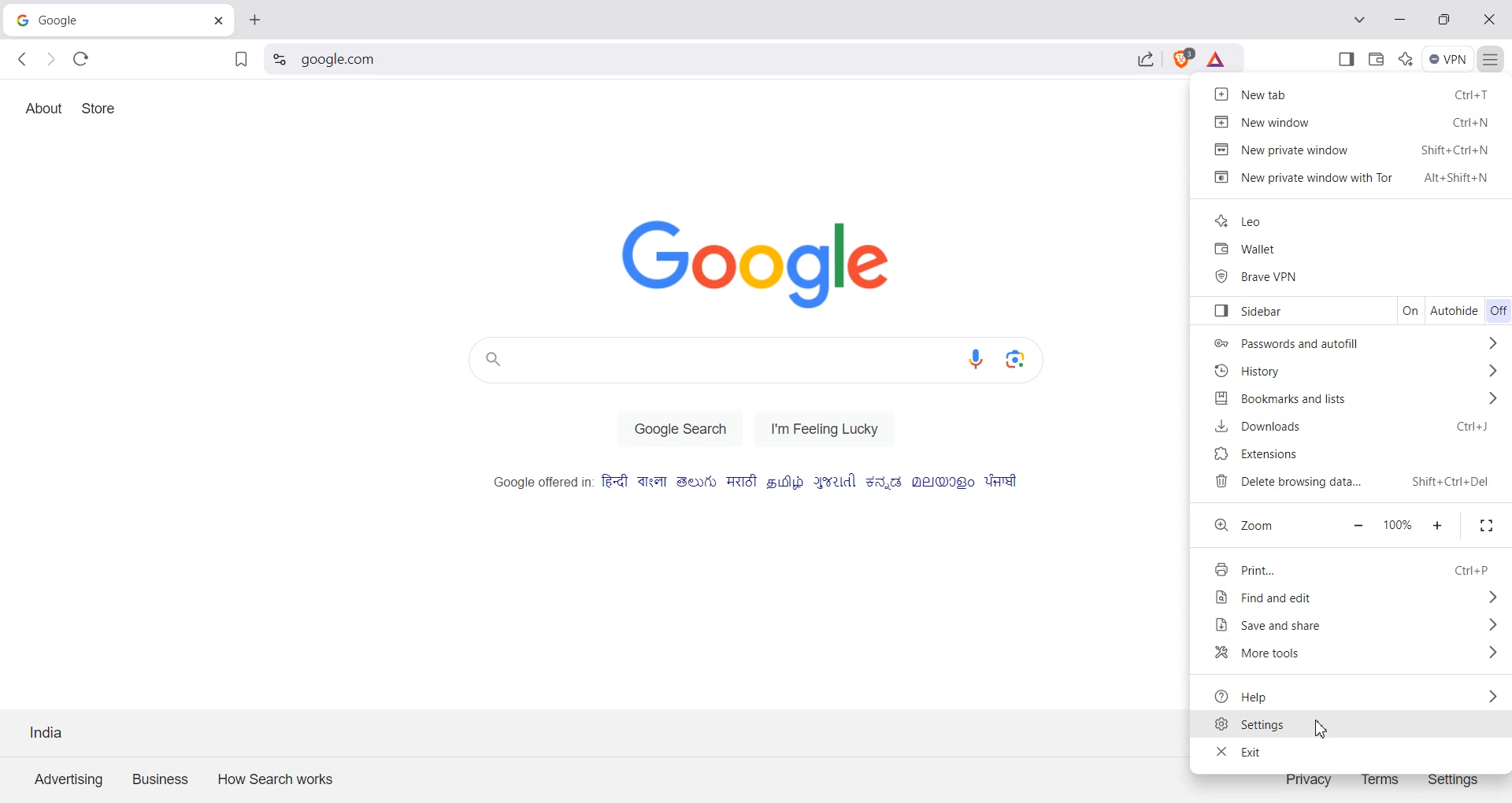 The image size is (1512, 803). What do you see at coordinates (47, 731) in the screenshot?
I see `India` at bounding box center [47, 731].